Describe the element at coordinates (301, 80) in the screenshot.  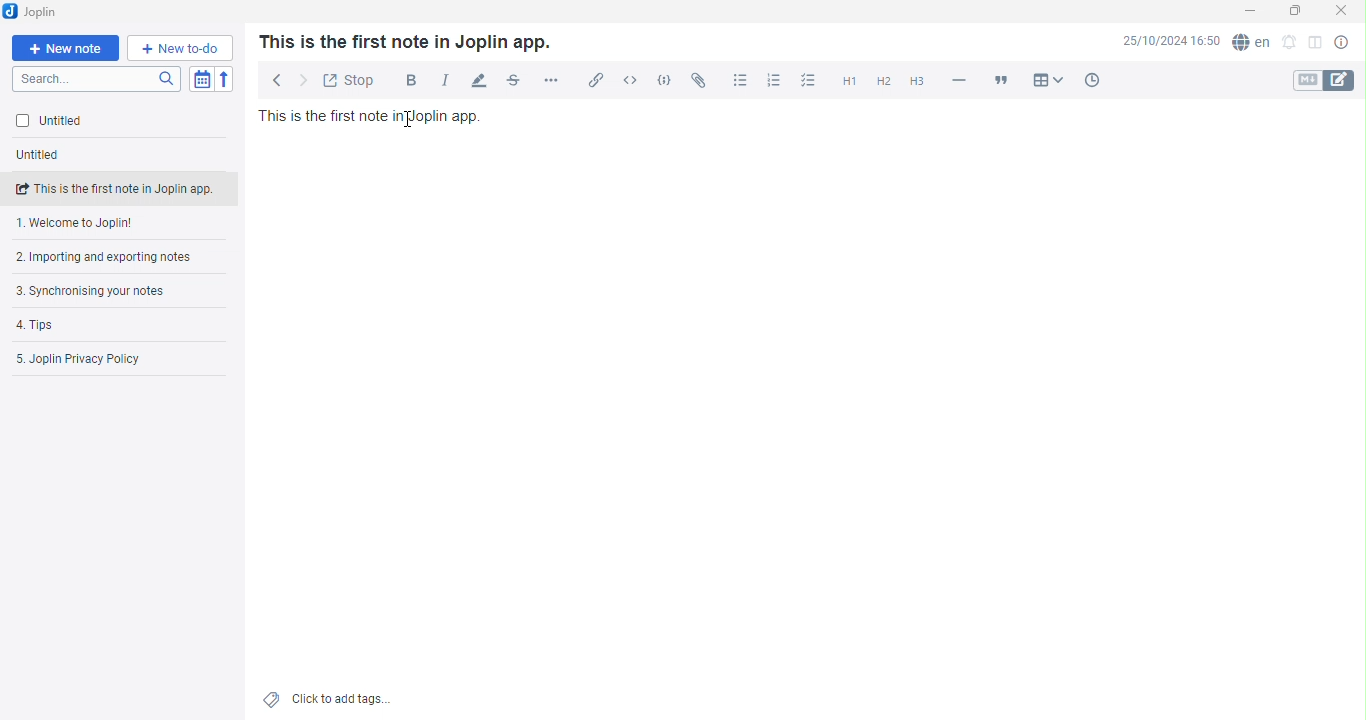
I see `Forward` at that location.